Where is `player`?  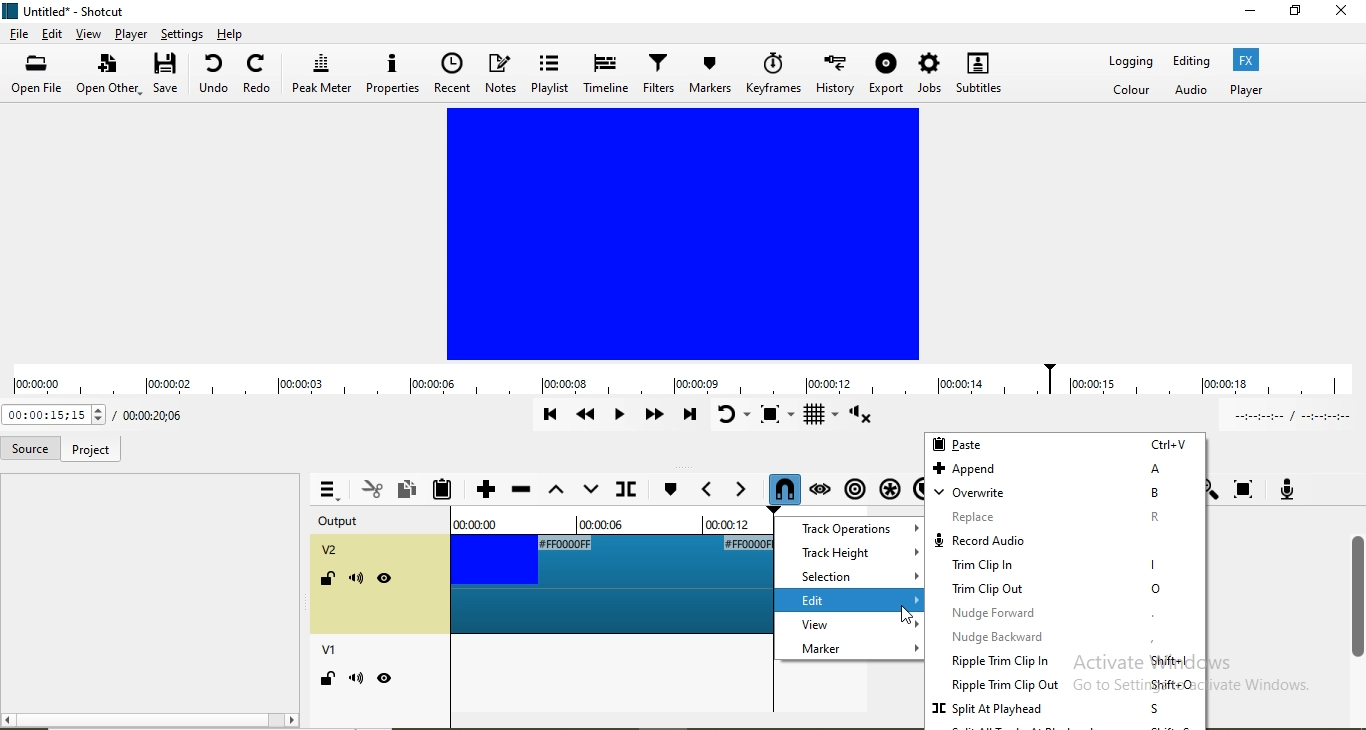
player is located at coordinates (129, 34).